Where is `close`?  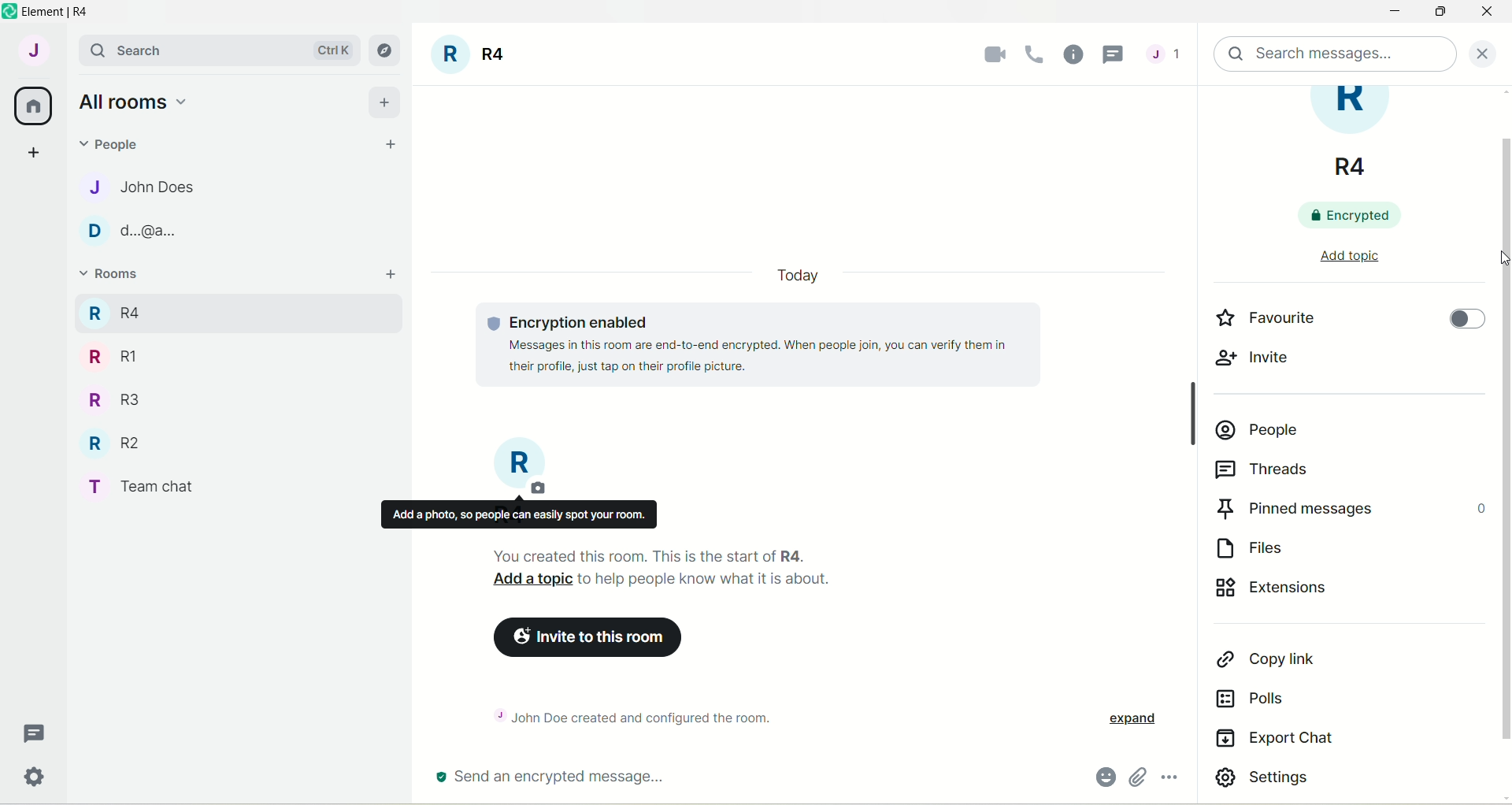
close is located at coordinates (1487, 15).